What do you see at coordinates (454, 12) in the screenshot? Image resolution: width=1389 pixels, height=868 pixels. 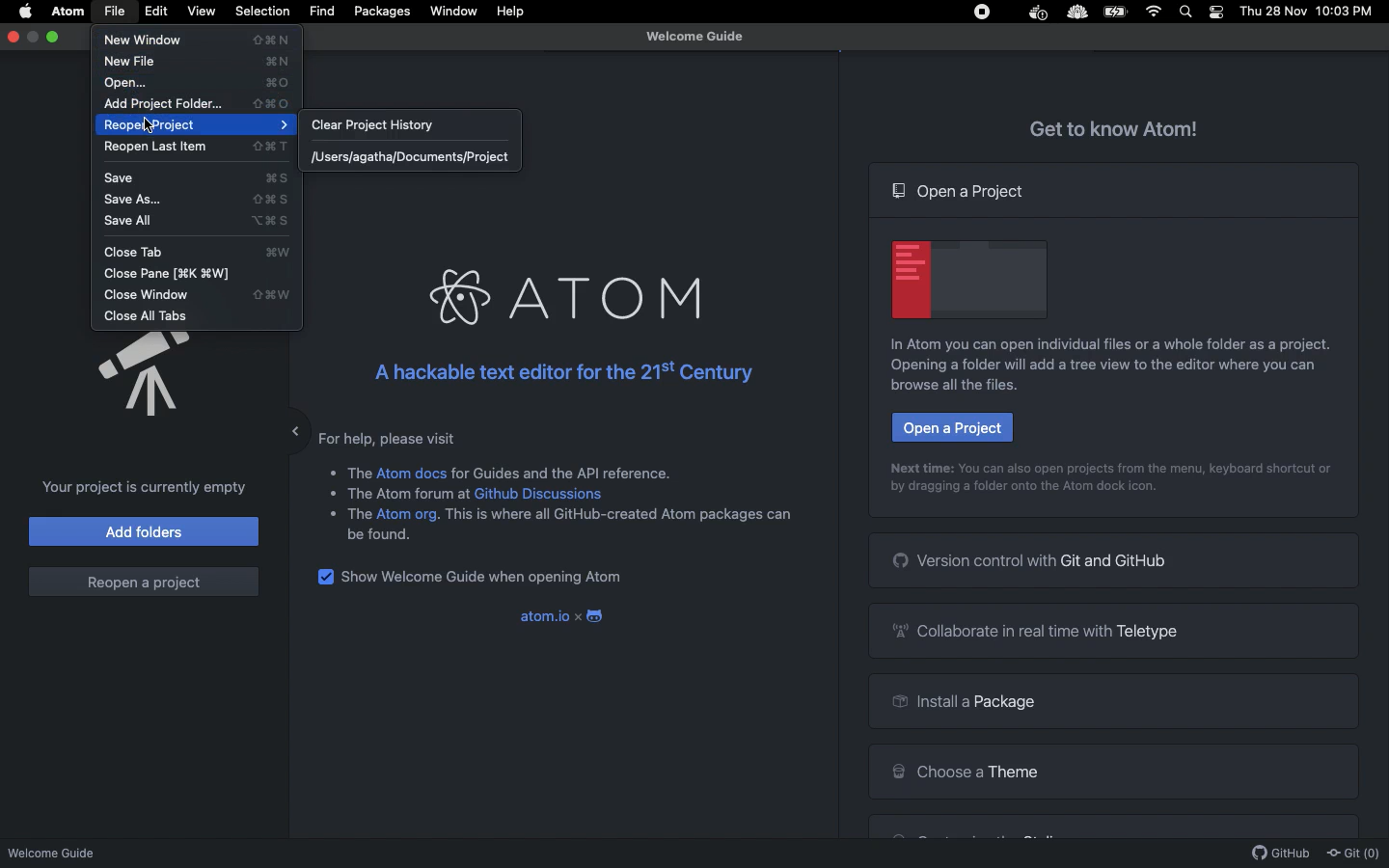 I see `Window` at bounding box center [454, 12].